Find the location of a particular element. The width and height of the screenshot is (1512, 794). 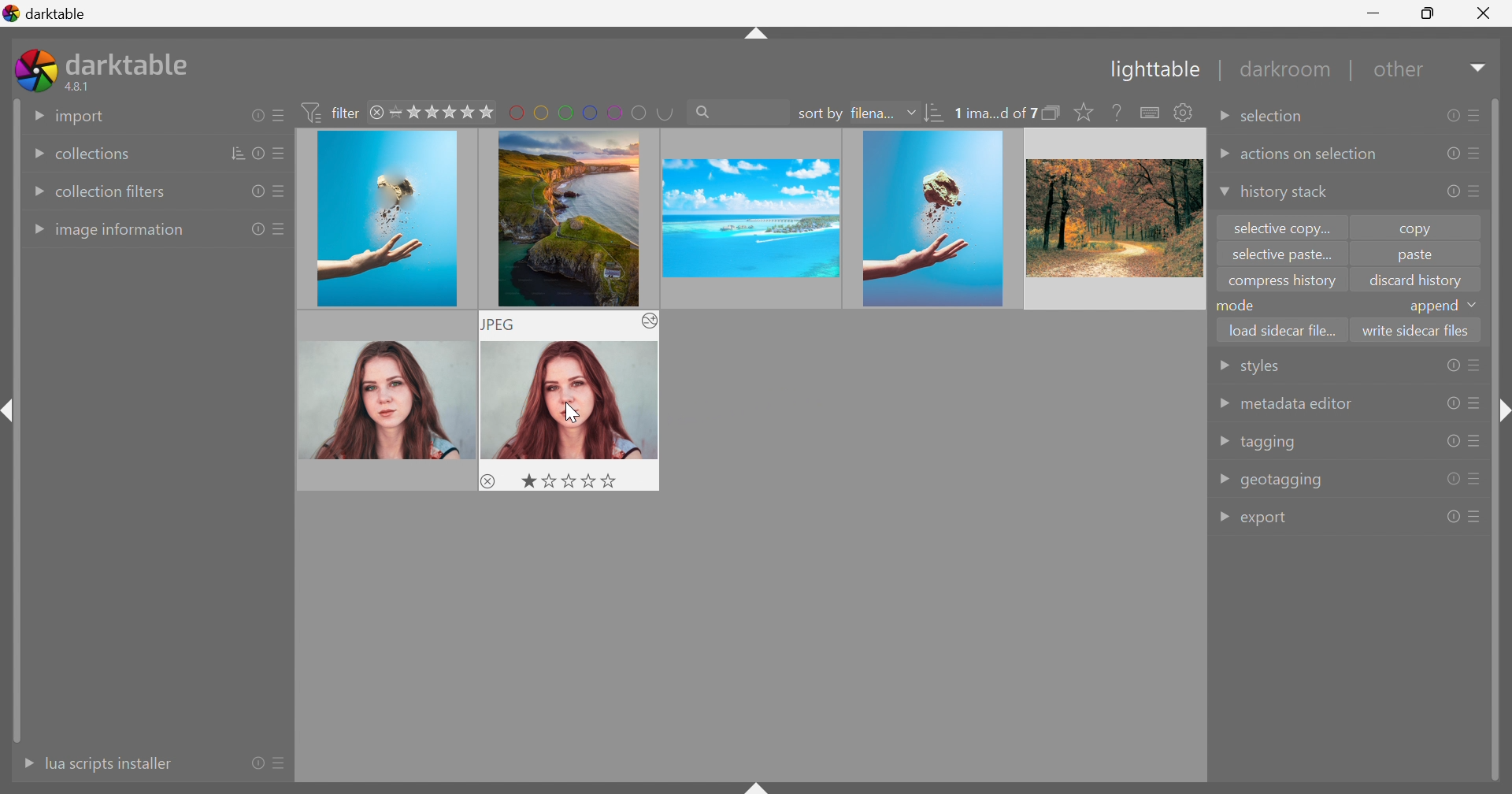

presets is located at coordinates (1477, 477).